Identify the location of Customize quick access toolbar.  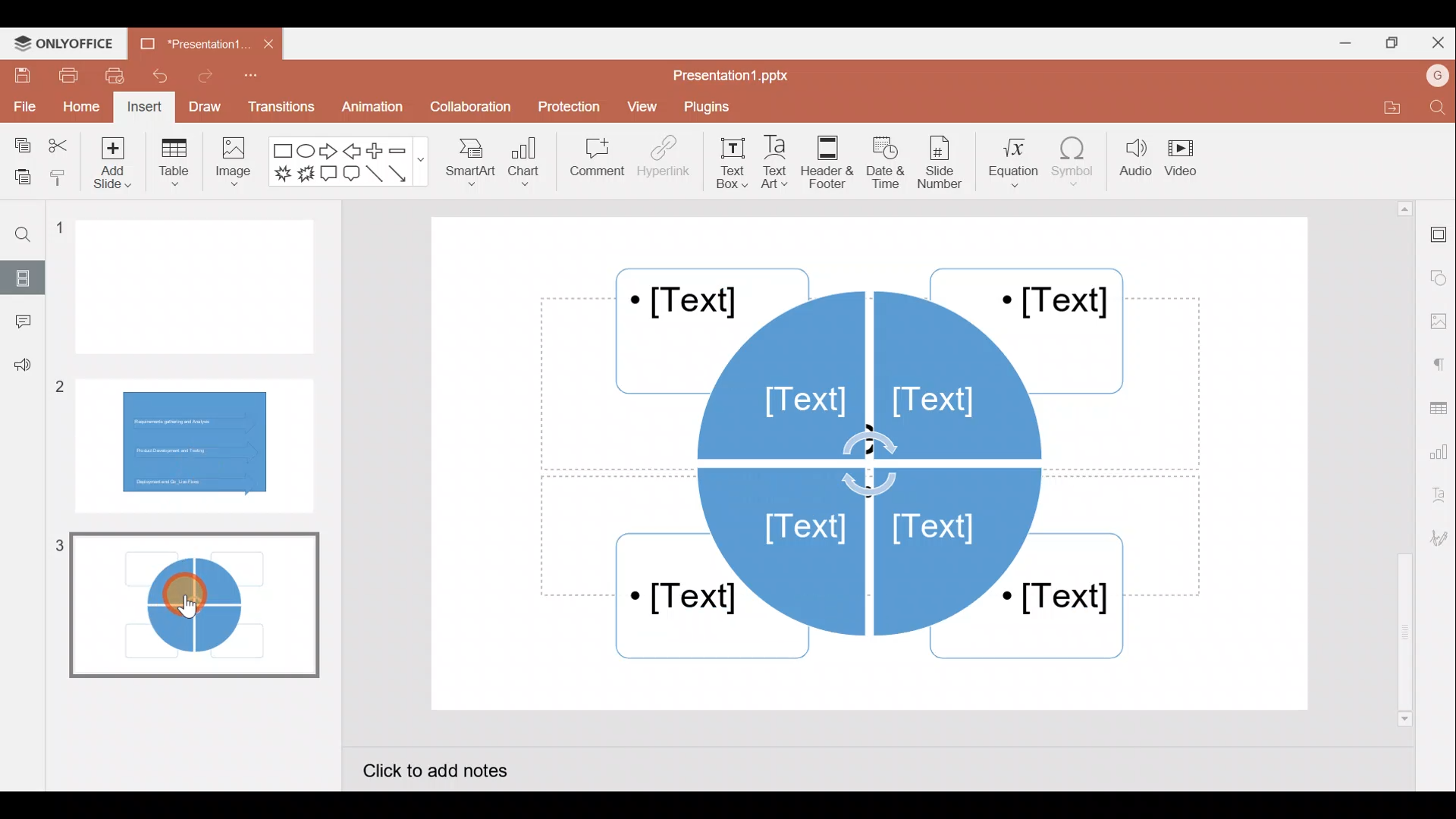
(249, 79).